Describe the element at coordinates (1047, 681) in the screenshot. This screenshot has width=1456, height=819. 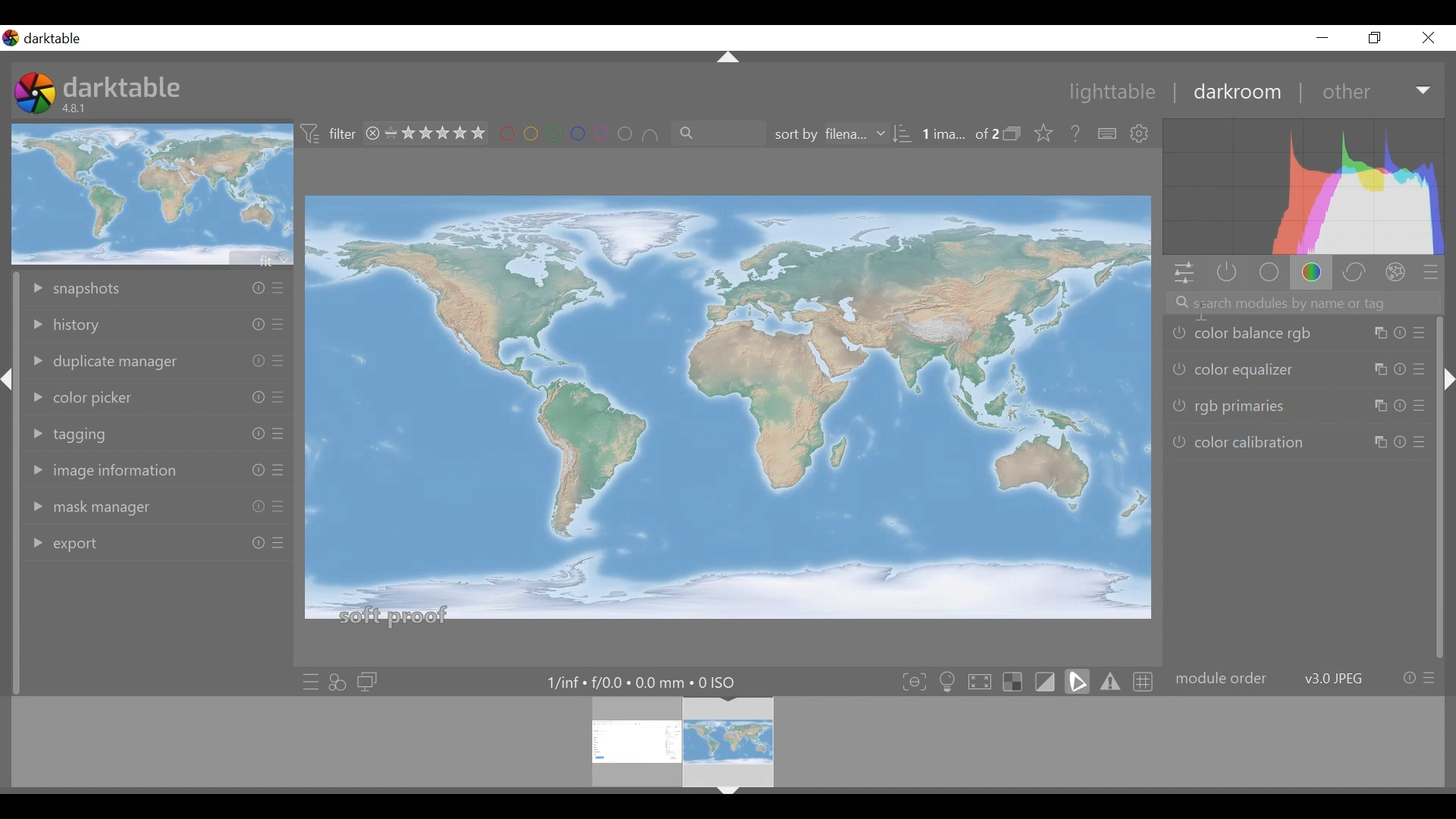
I see `toggle clipping indication` at that location.